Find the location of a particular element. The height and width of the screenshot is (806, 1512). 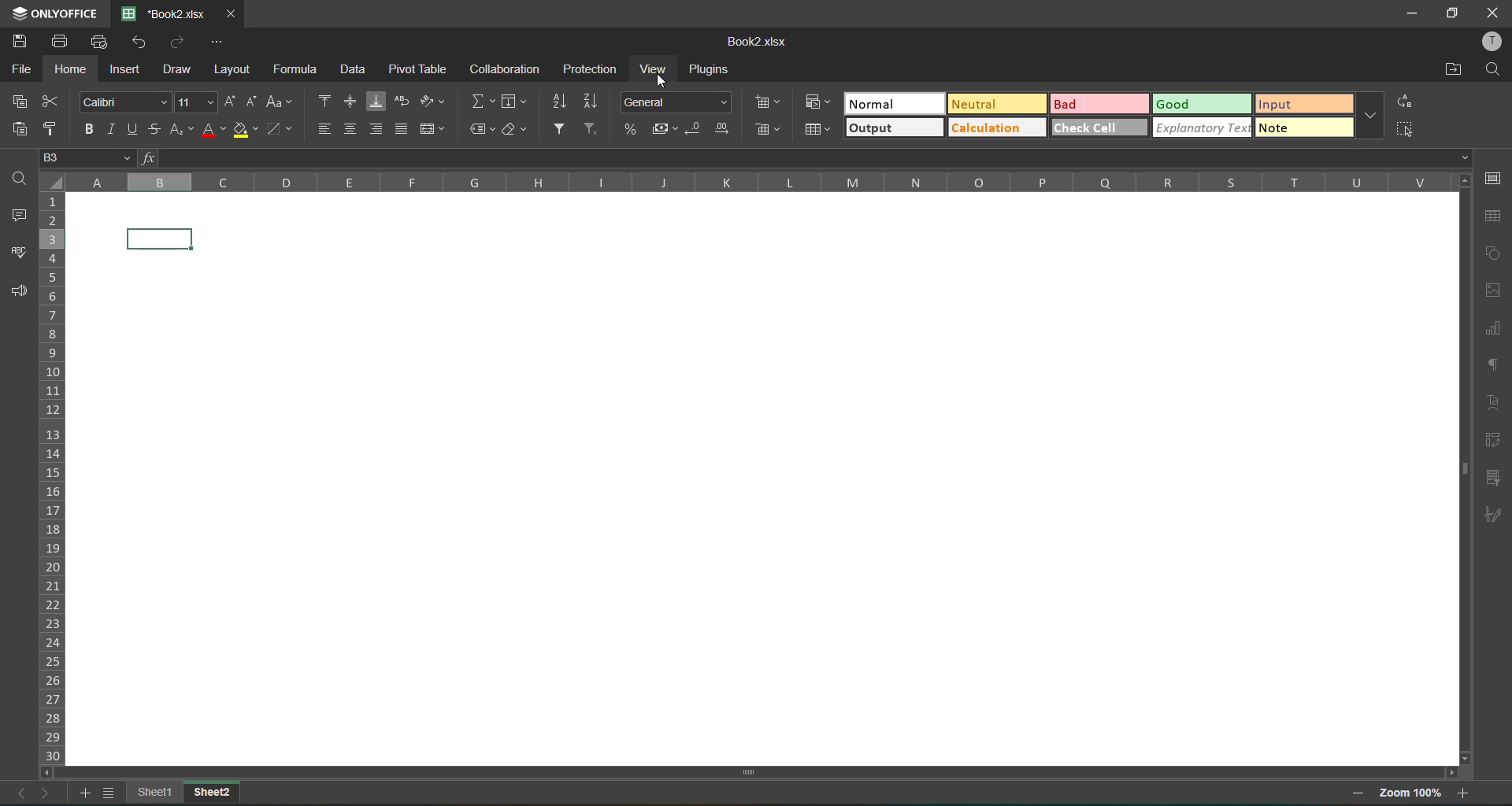

neutral is located at coordinates (1000, 102).